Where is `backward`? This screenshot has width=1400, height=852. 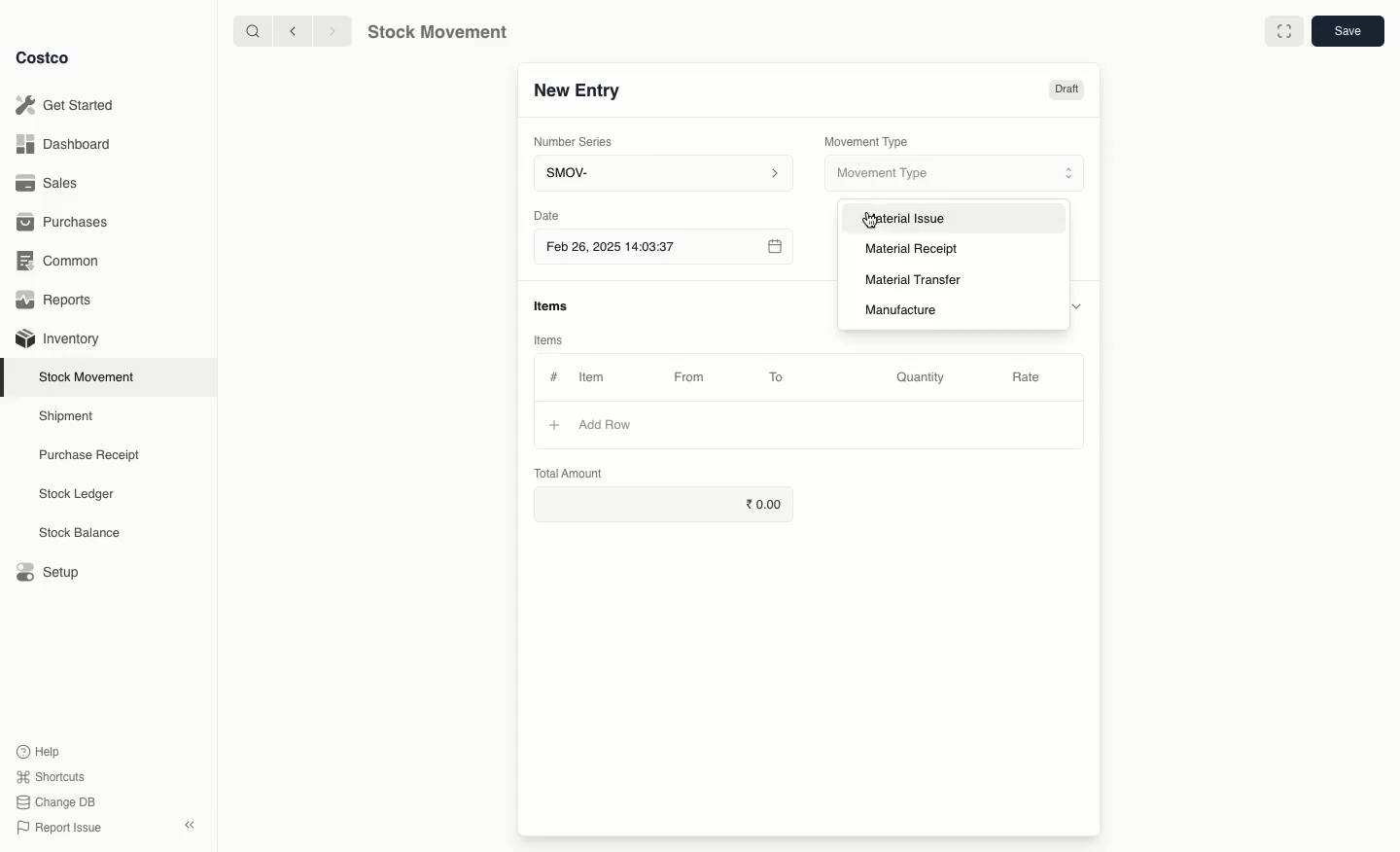 backward is located at coordinates (296, 32).